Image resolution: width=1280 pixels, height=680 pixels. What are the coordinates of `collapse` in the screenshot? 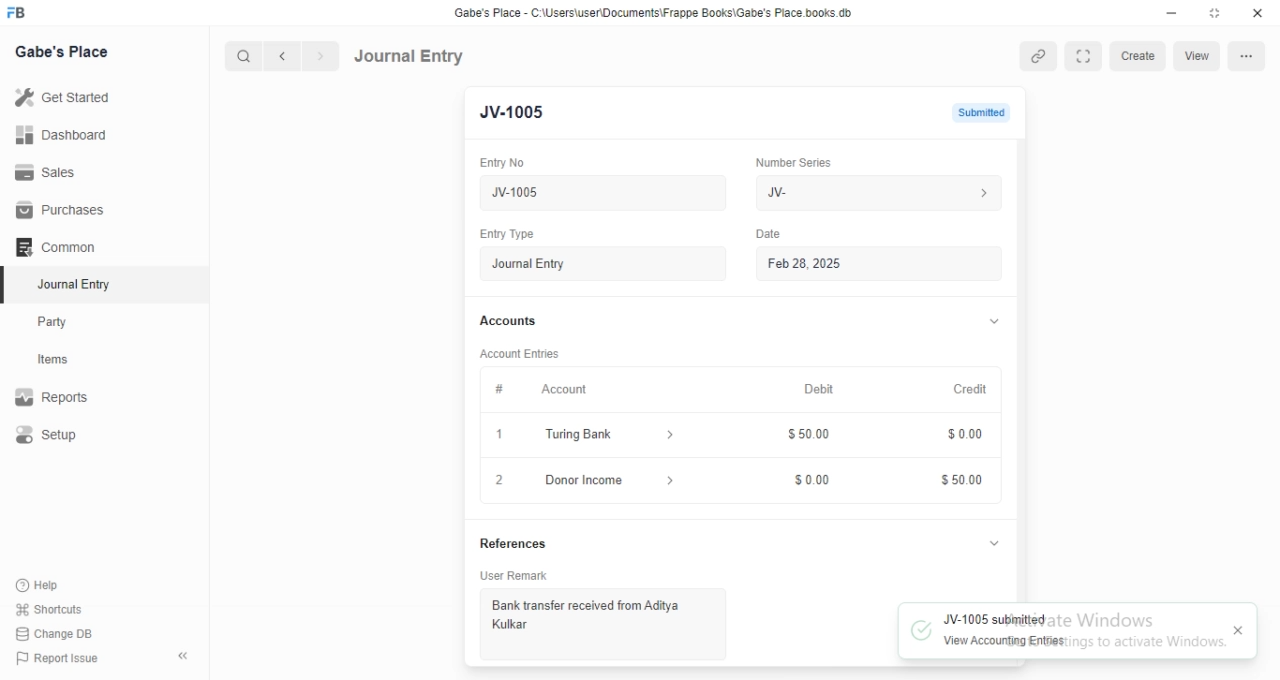 It's located at (993, 323).